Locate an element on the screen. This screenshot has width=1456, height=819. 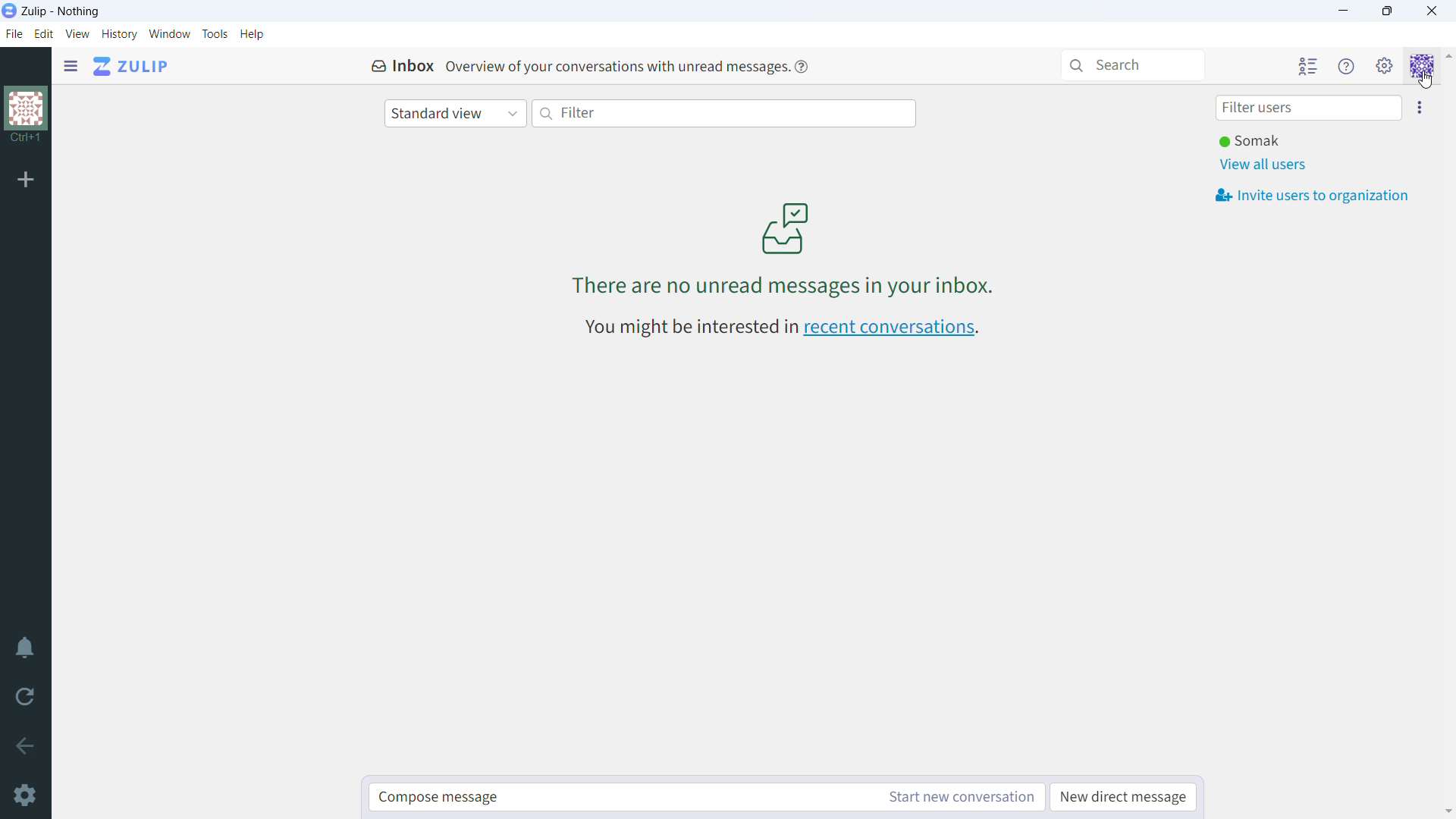
view is located at coordinates (79, 33).